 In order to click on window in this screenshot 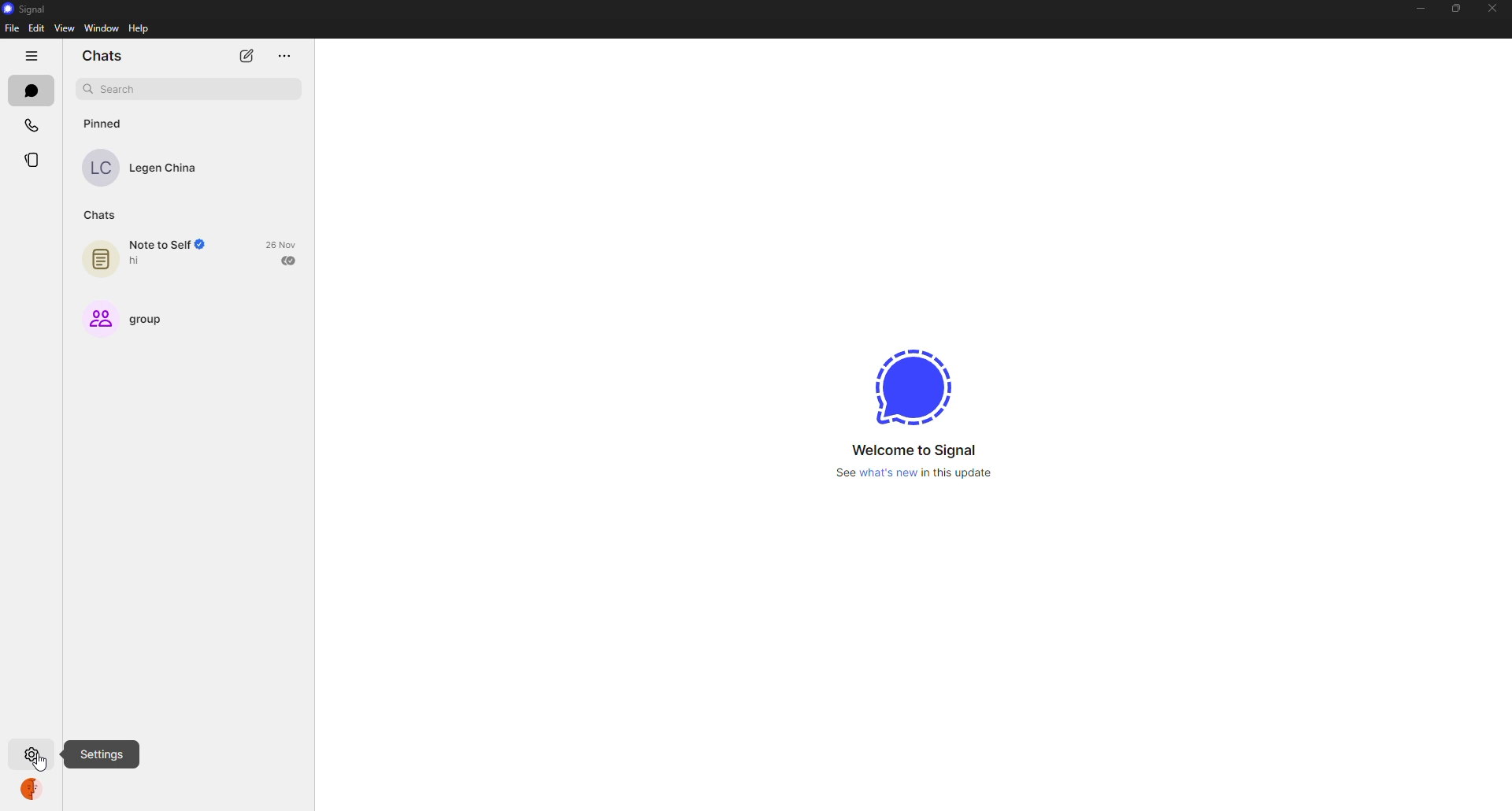, I will do `click(102, 28)`.